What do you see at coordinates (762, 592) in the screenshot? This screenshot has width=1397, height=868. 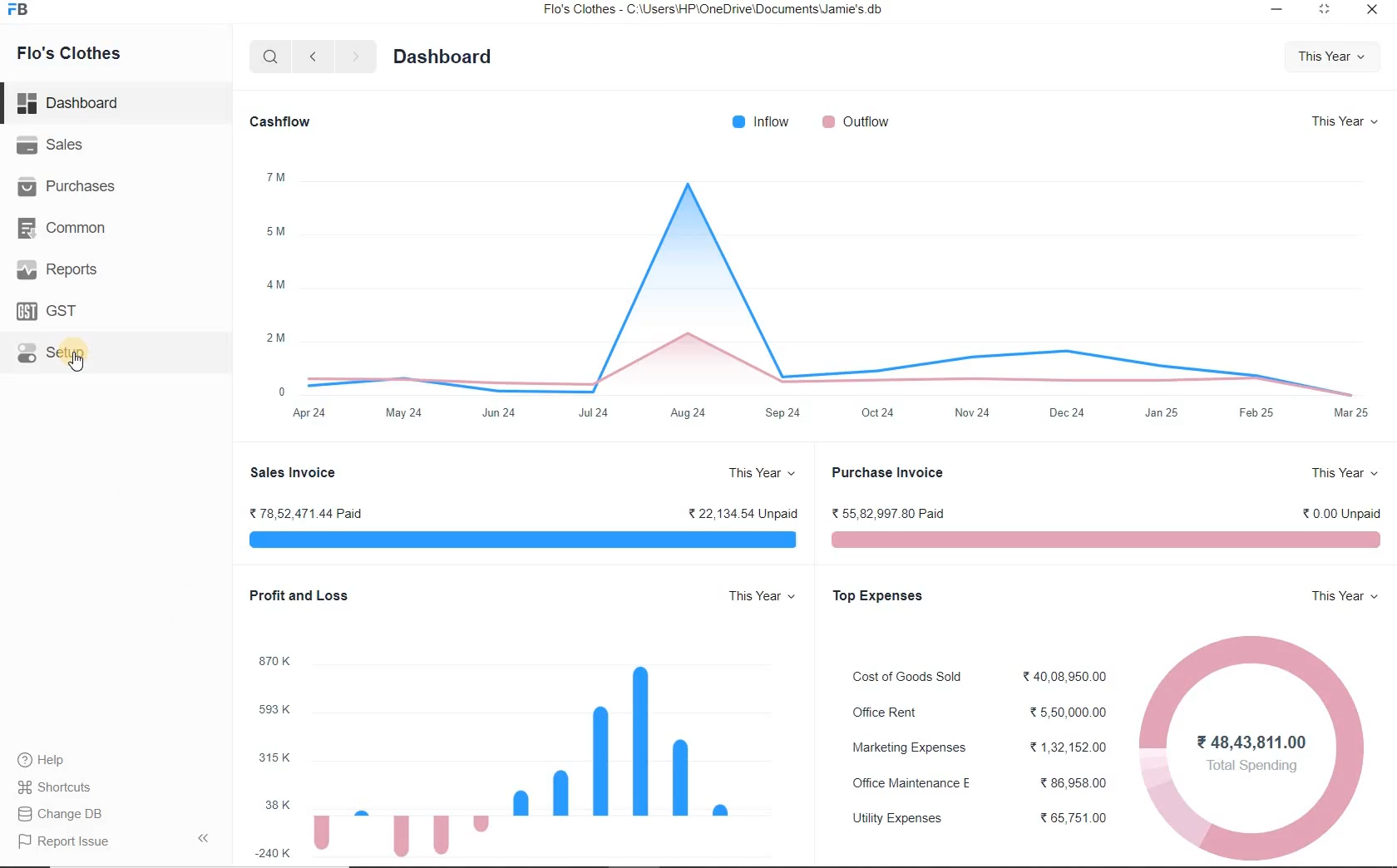 I see `This Year ` at bounding box center [762, 592].